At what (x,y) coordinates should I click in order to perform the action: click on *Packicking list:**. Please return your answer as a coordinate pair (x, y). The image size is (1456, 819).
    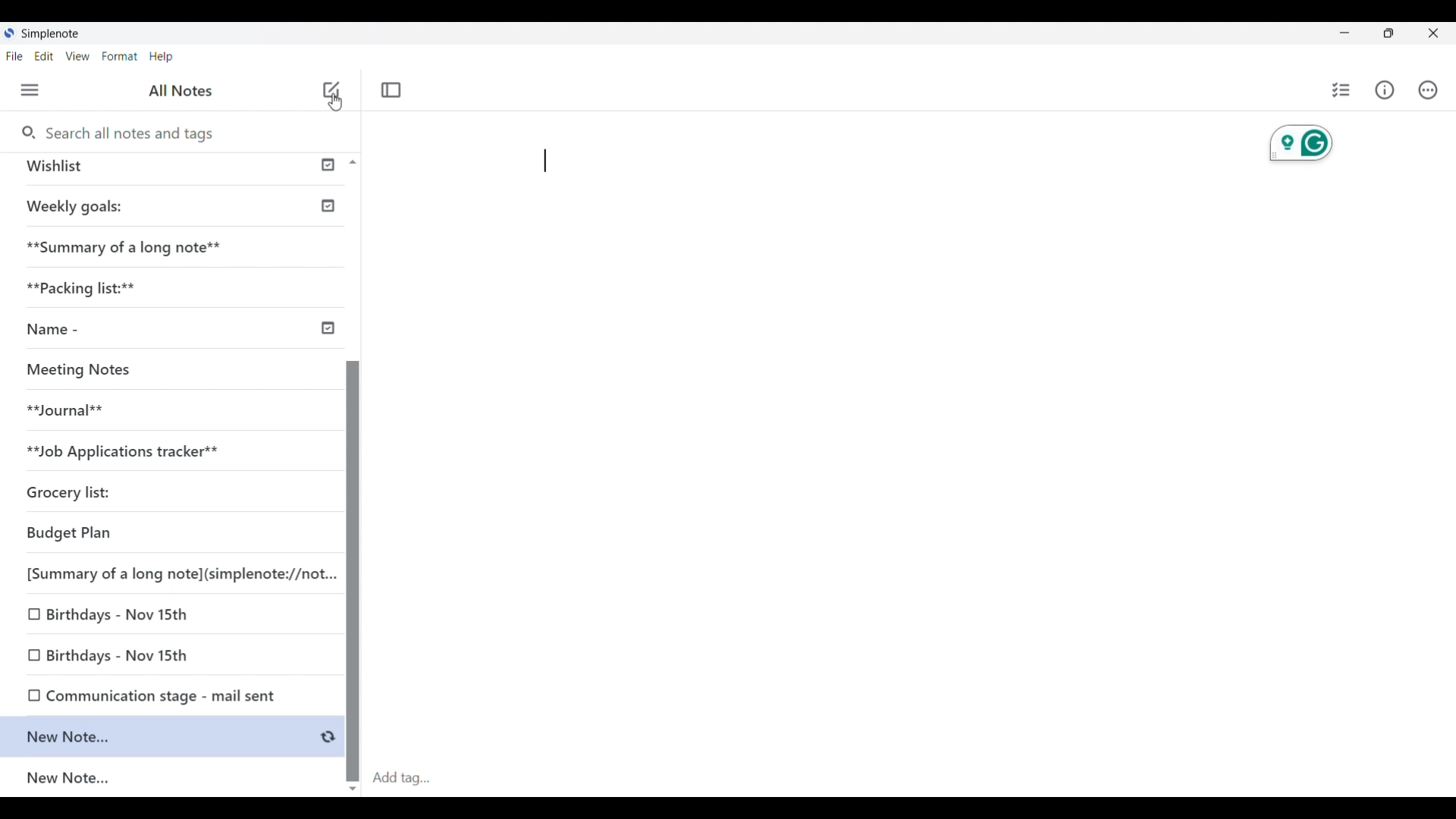
    Looking at the image, I should click on (89, 286).